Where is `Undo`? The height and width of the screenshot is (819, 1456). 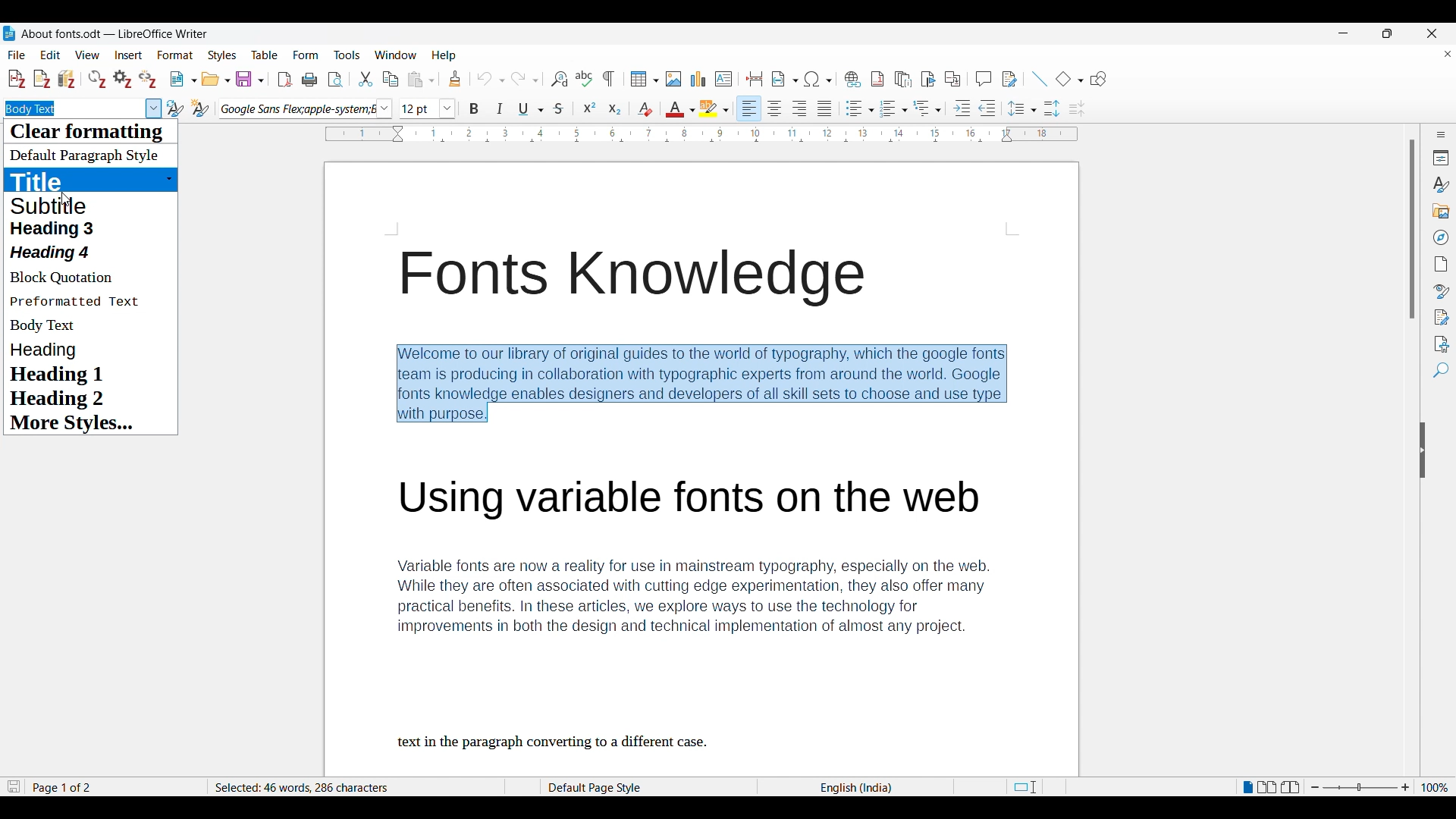
Undo is located at coordinates (491, 79).